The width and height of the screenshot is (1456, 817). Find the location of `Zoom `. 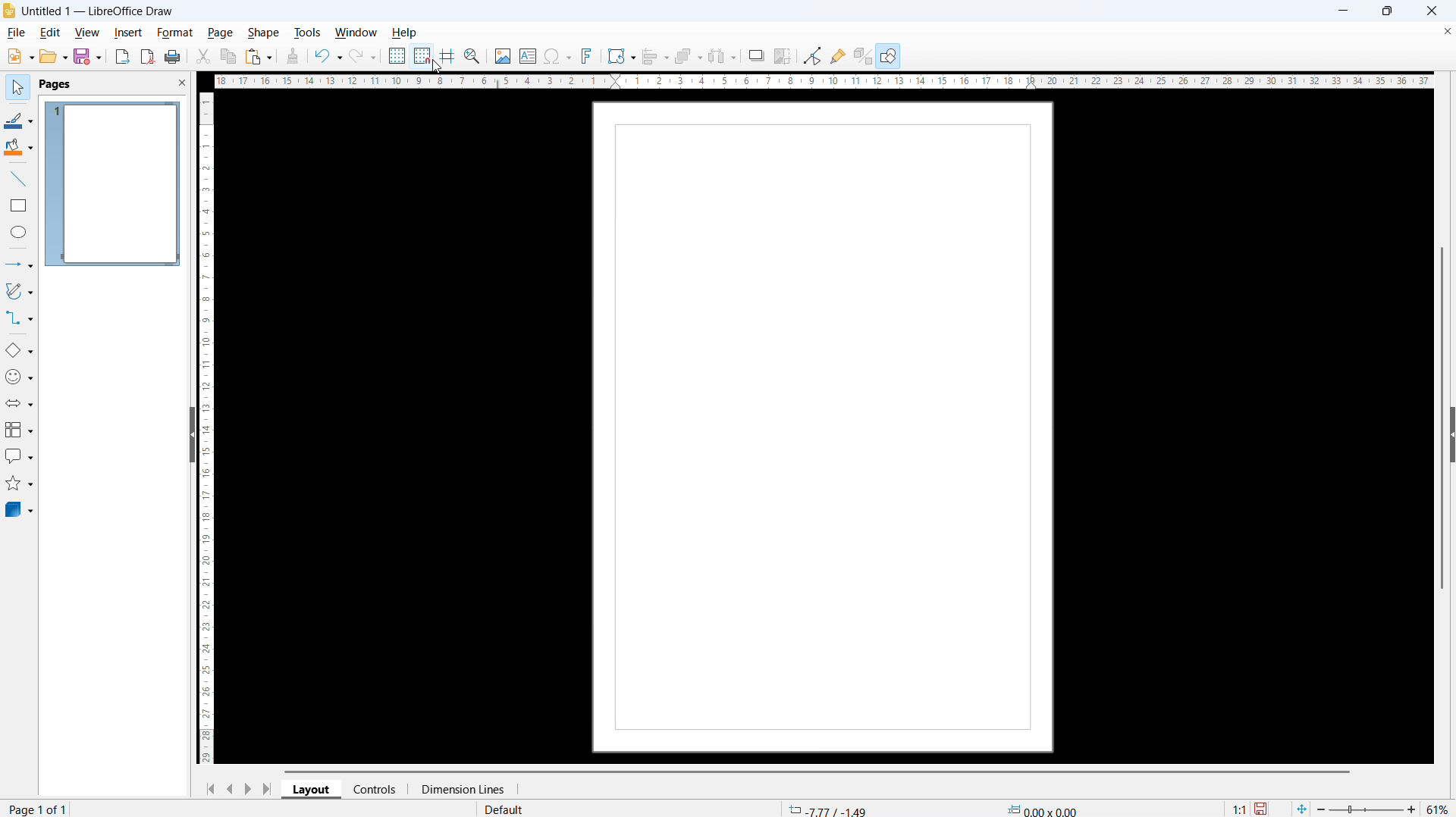

Zoom  is located at coordinates (474, 56).